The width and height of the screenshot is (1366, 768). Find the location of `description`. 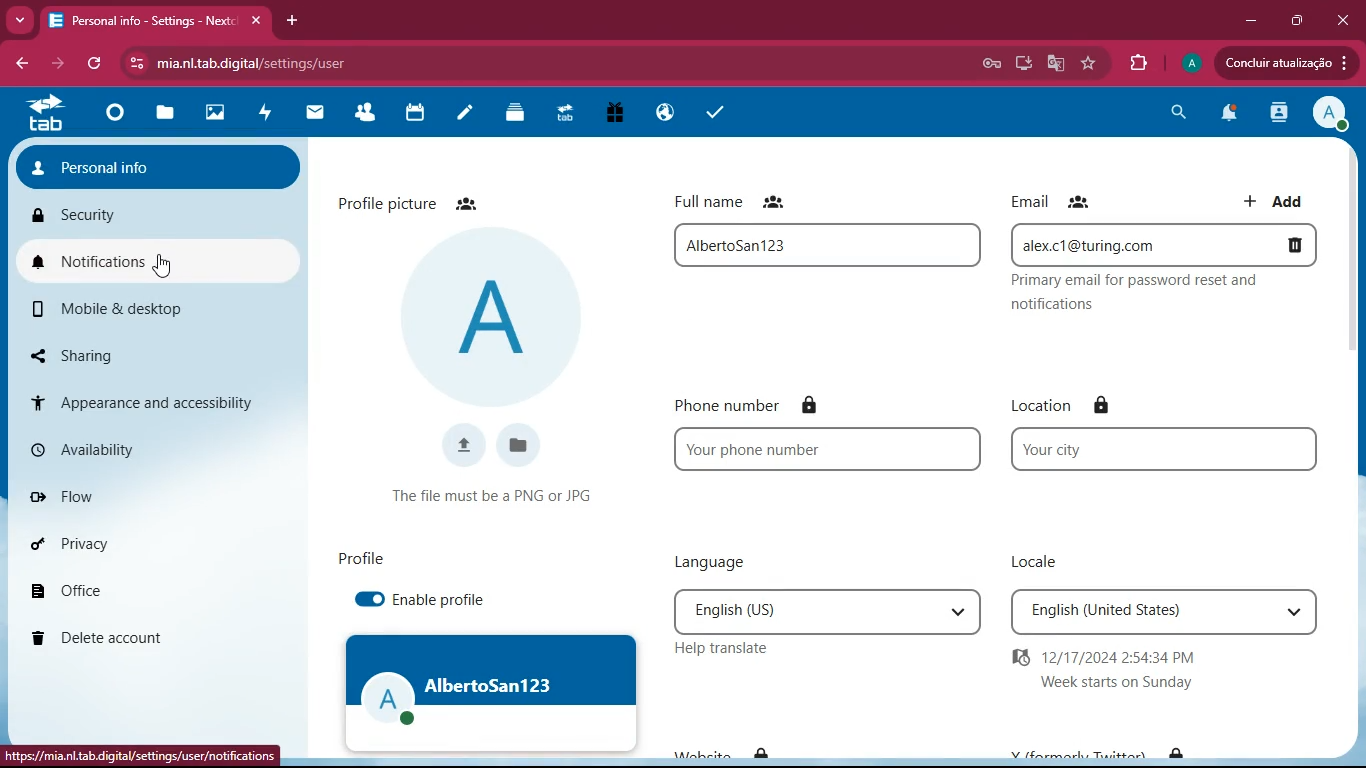

description is located at coordinates (1141, 294).